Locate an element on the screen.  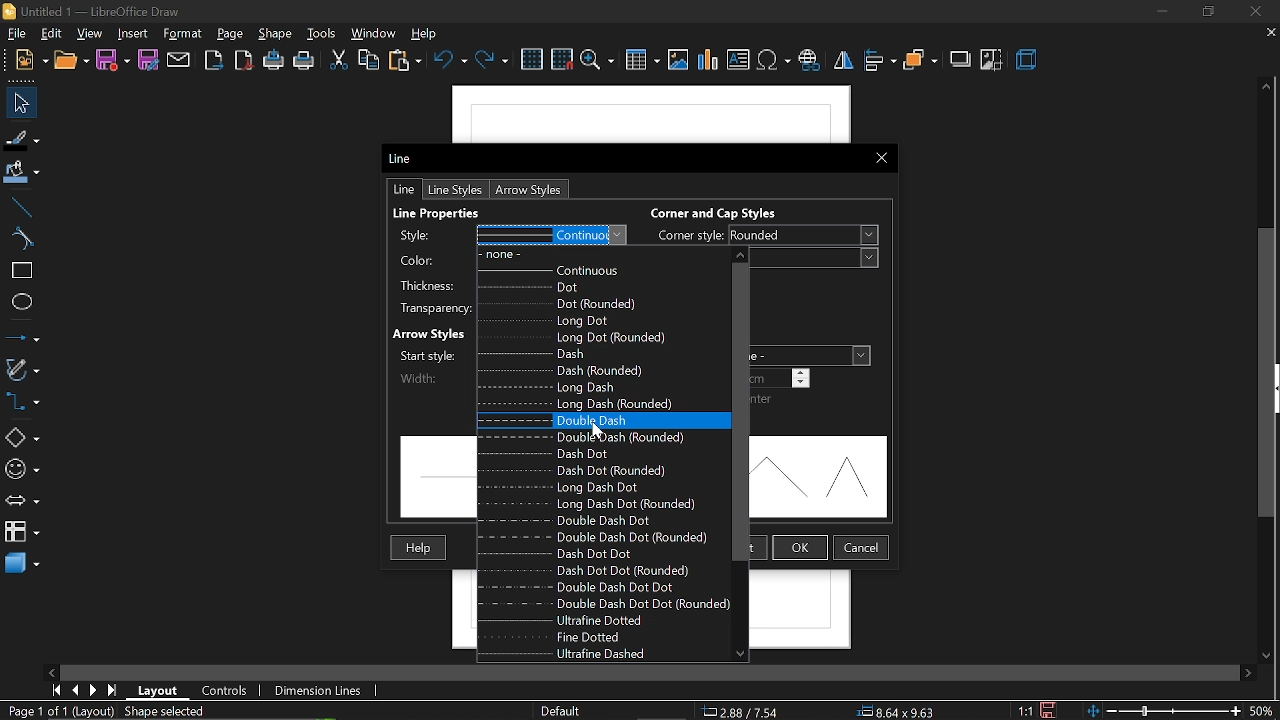
connectors is located at coordinates (24, 402).